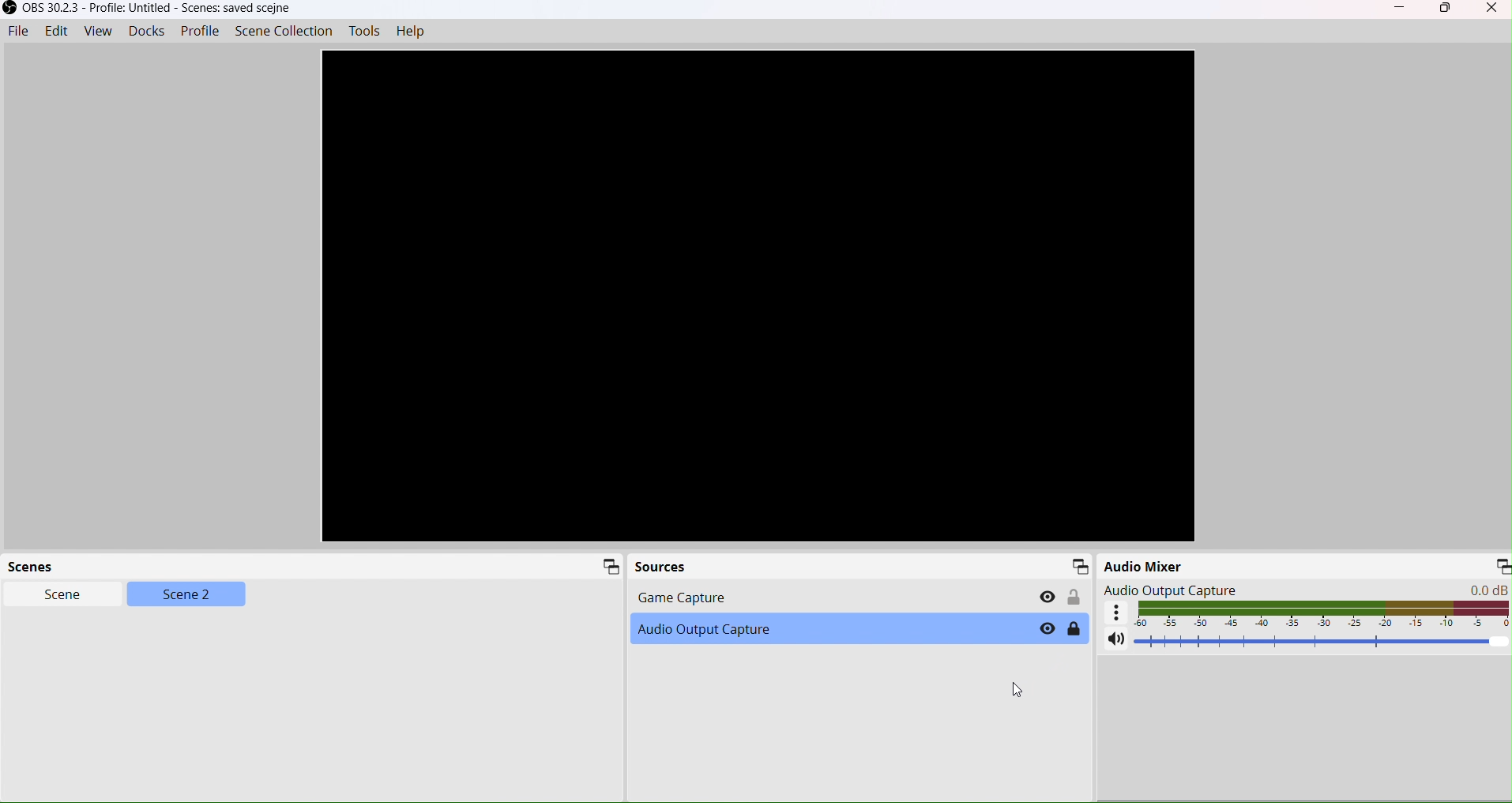 The width and height of the screenshot is (1512, 803). I want to click on Game Capture, so click(790, 597).